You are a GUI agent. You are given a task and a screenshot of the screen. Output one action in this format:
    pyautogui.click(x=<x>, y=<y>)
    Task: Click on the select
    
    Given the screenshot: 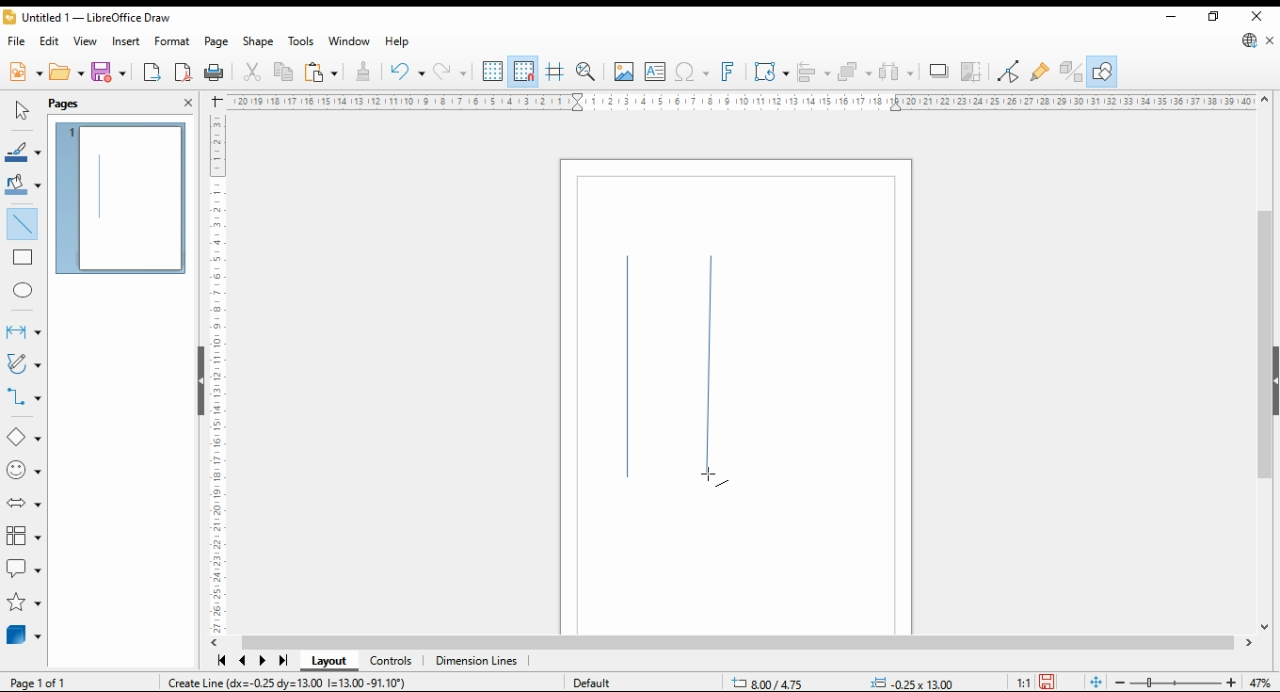 What is the action you would take?
    pyautogui.click(x=22, y=110)
    